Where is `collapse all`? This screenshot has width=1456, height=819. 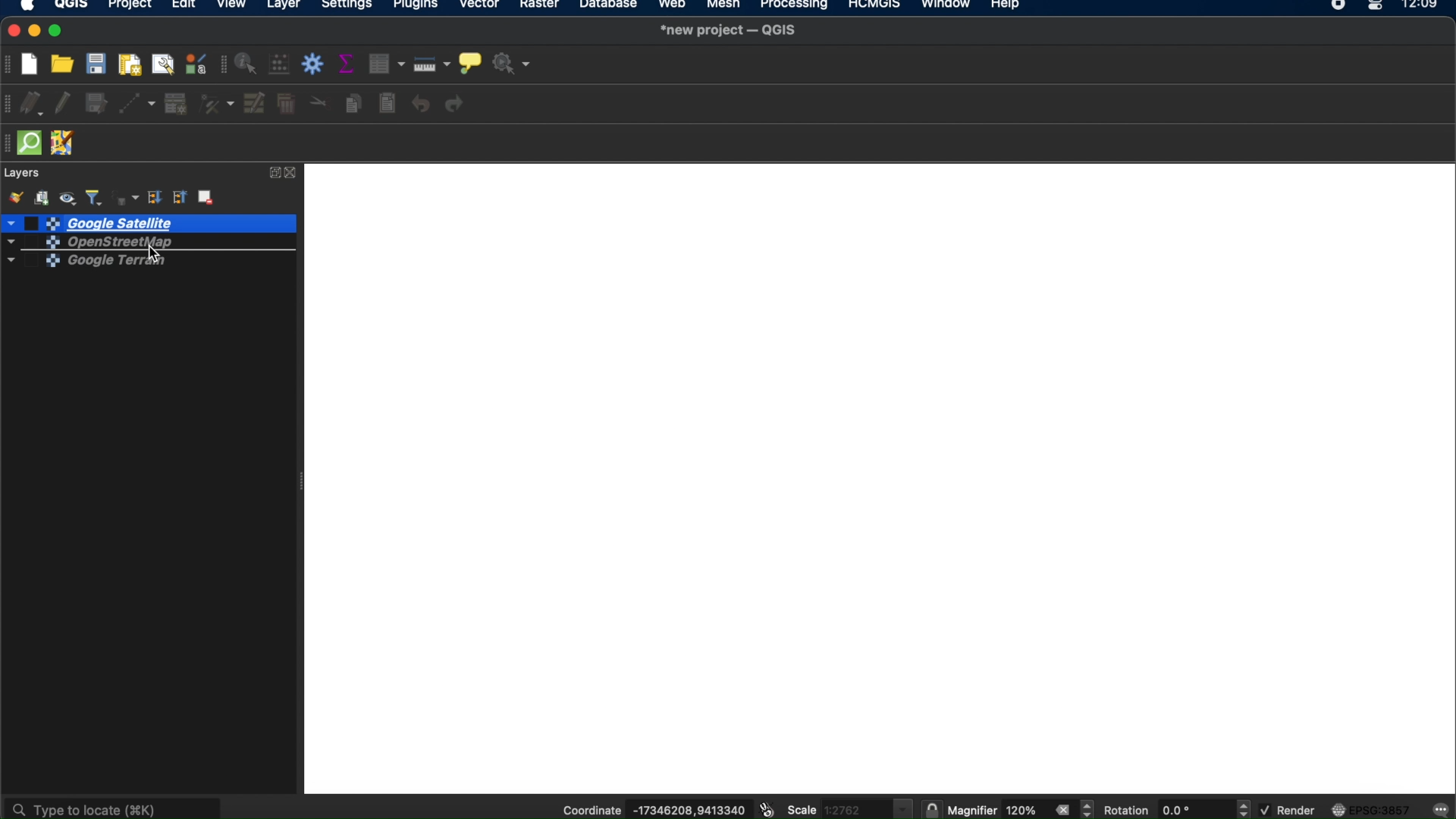
collapse all is located at coordinates (180, 198).